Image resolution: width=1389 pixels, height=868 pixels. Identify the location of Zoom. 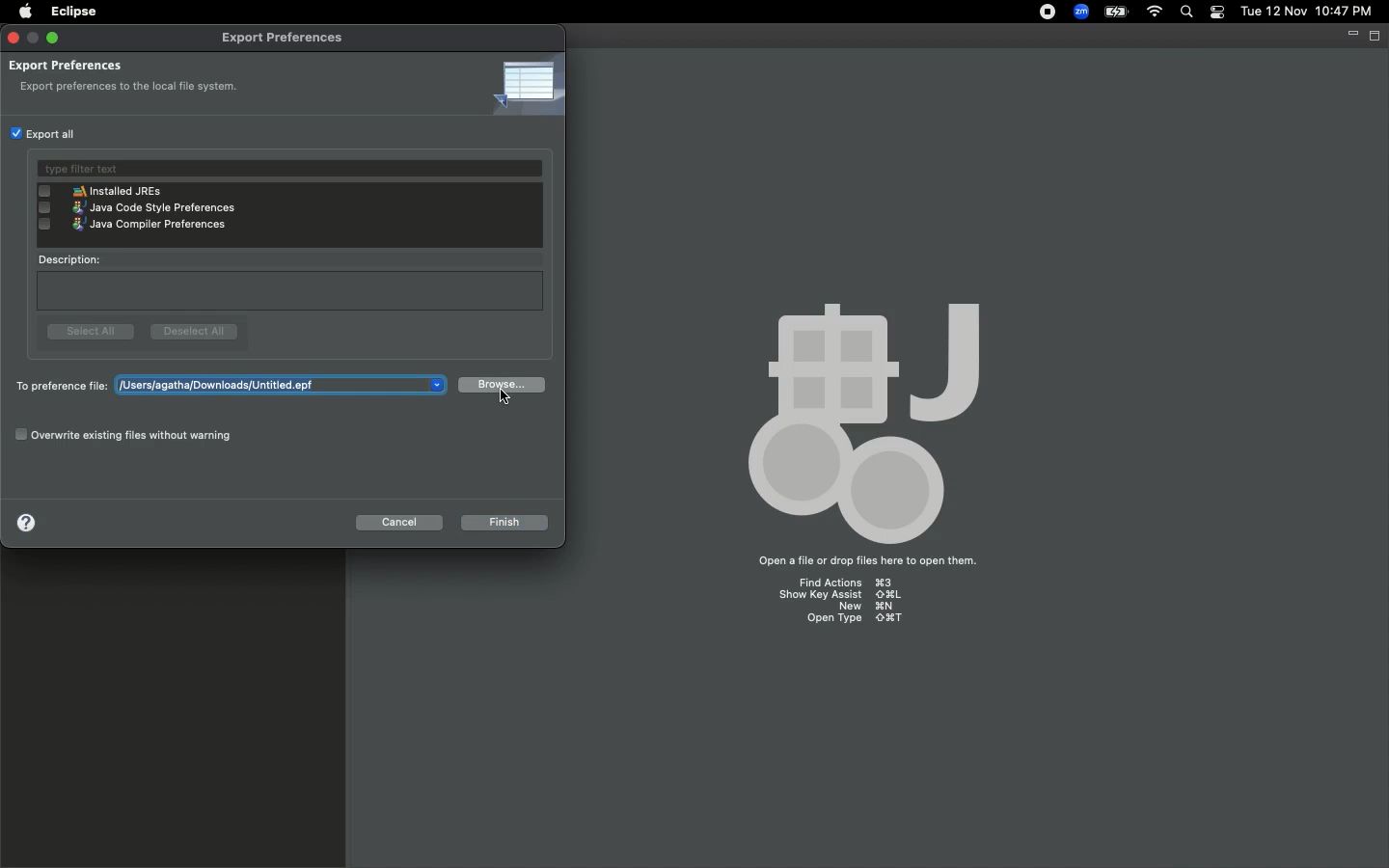
(1080, 12).